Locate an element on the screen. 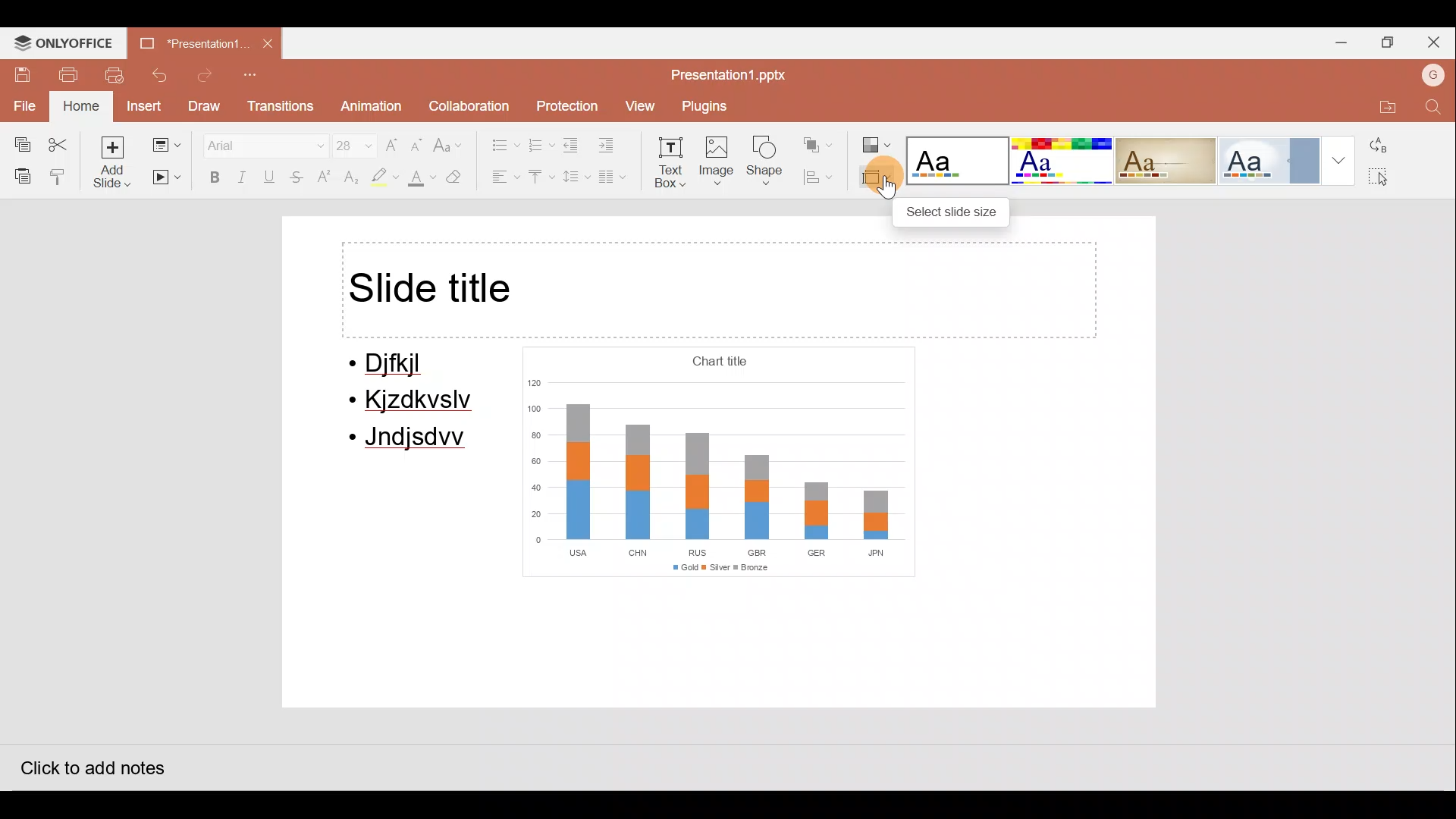  Image is located at coordinates (718, 164).